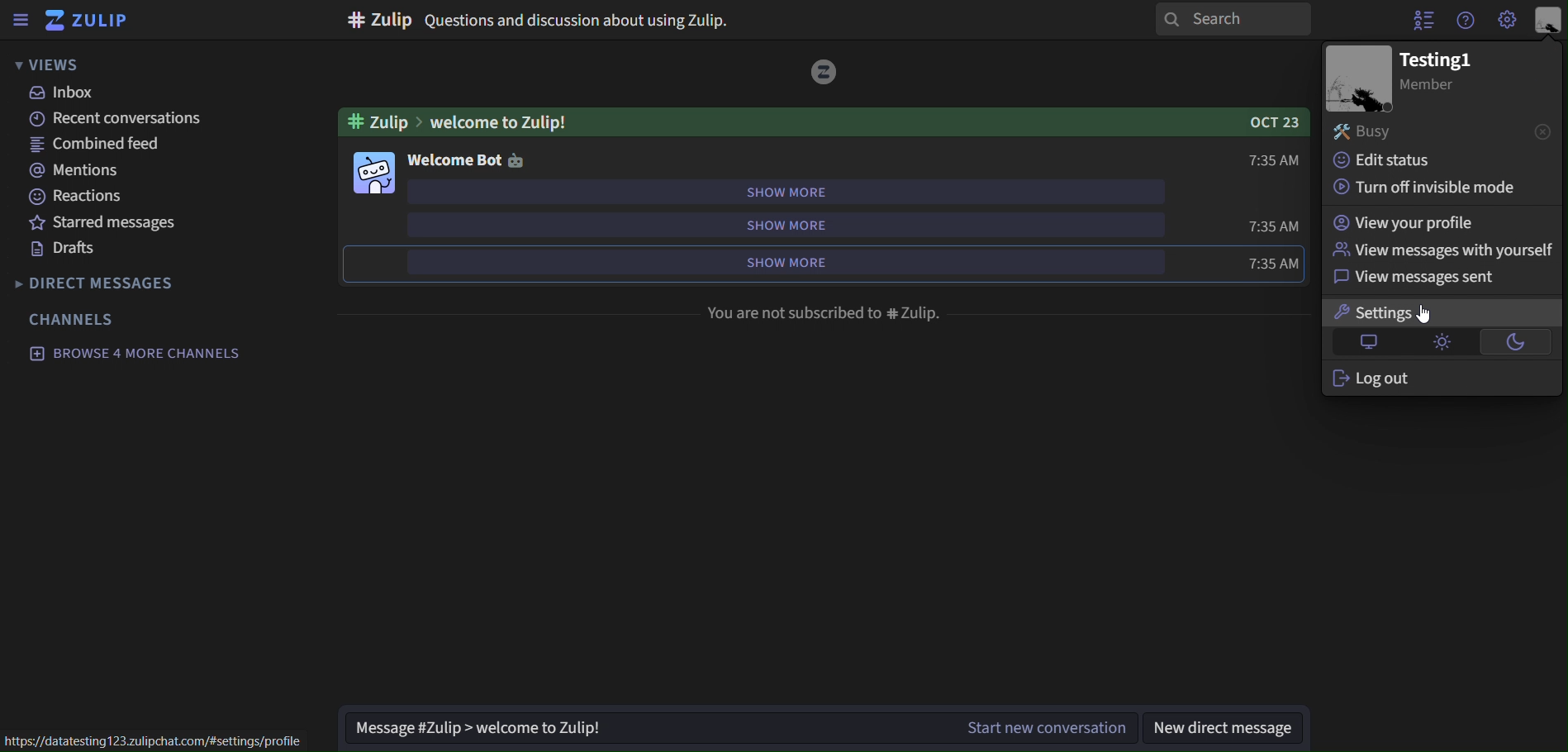 This screenshot has width=1568, height=752. I want to click on Message #Zulip > welcome to Zulip!, so click(630, 729).